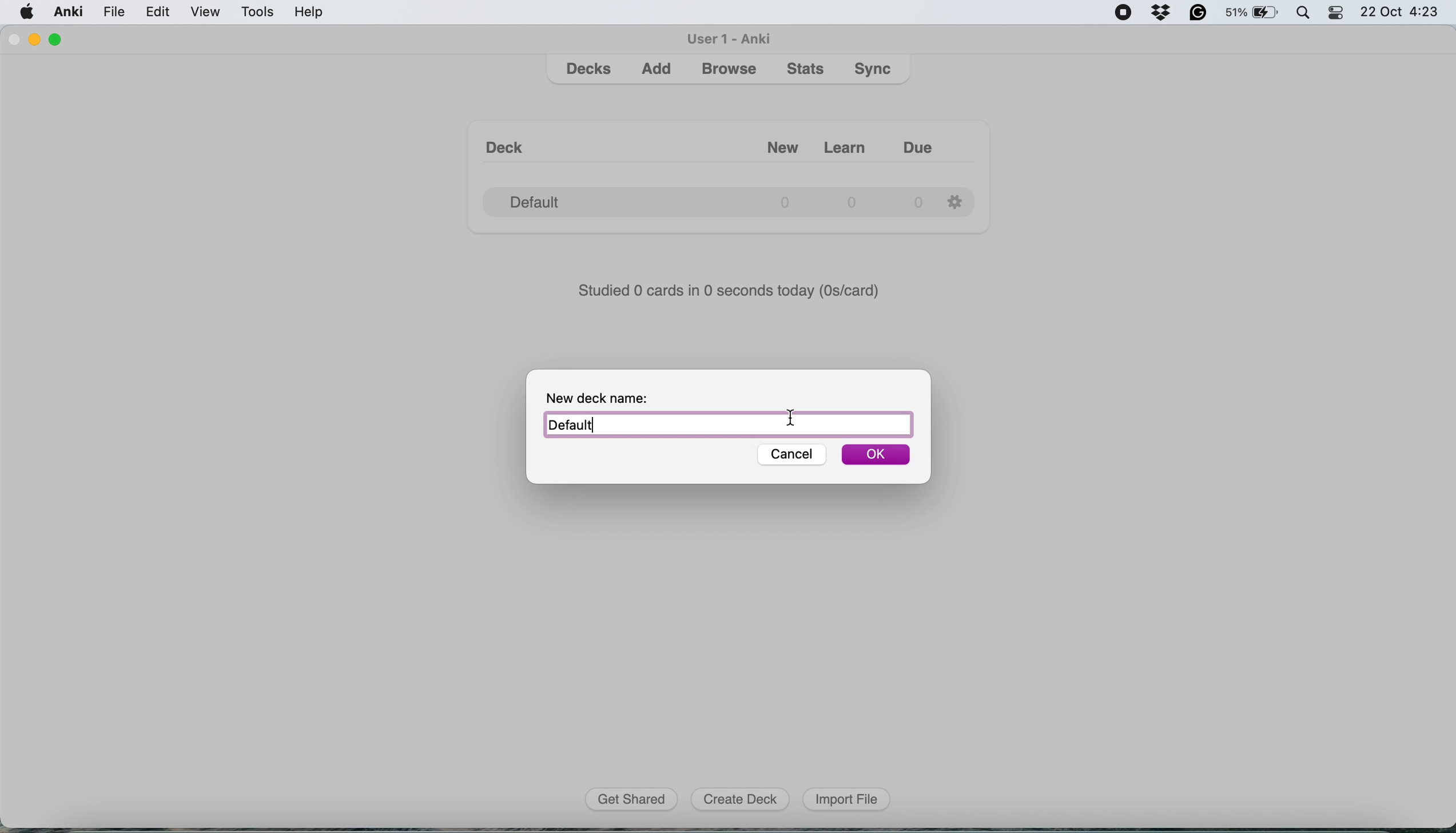 The width and height of the screenshot is (1456, 833). What do you see at coordinates (659, 72) in the screenshot?
I see `add` at bounding box center [659, 72].